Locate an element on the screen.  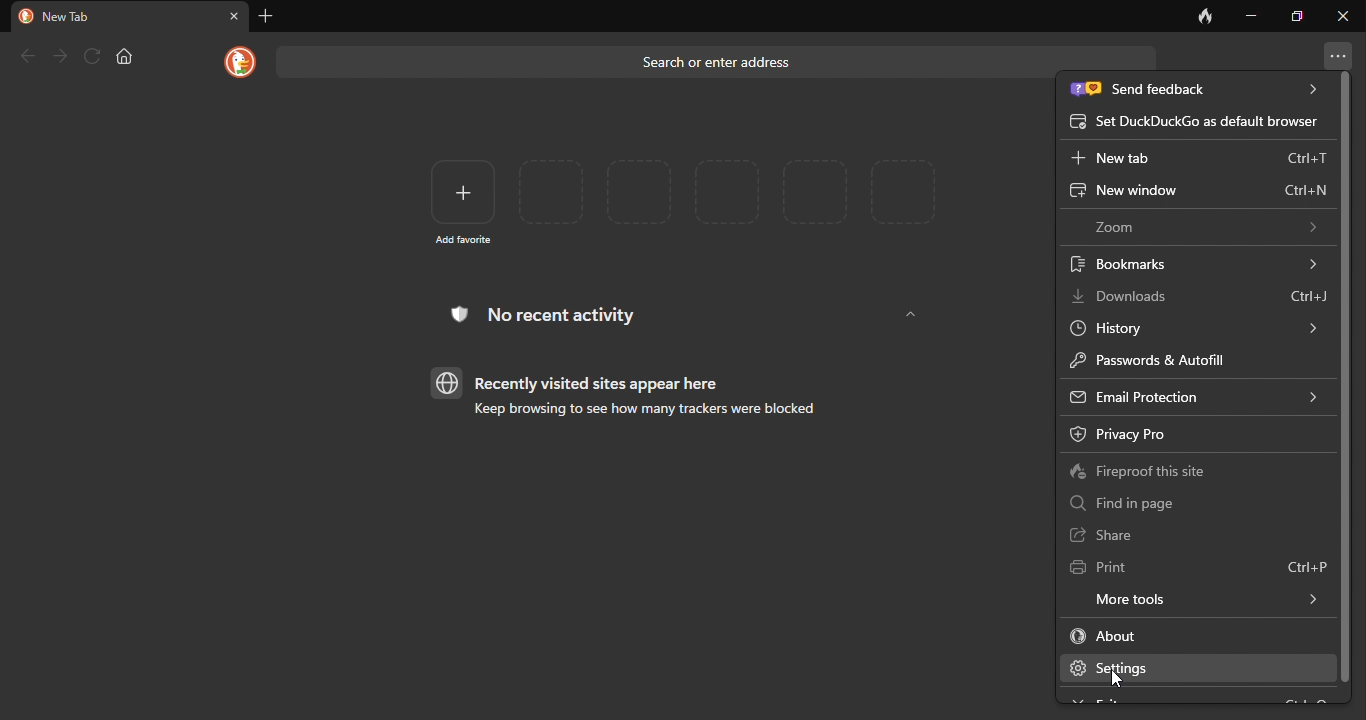
zoom is located at coordinates (1203, 226).